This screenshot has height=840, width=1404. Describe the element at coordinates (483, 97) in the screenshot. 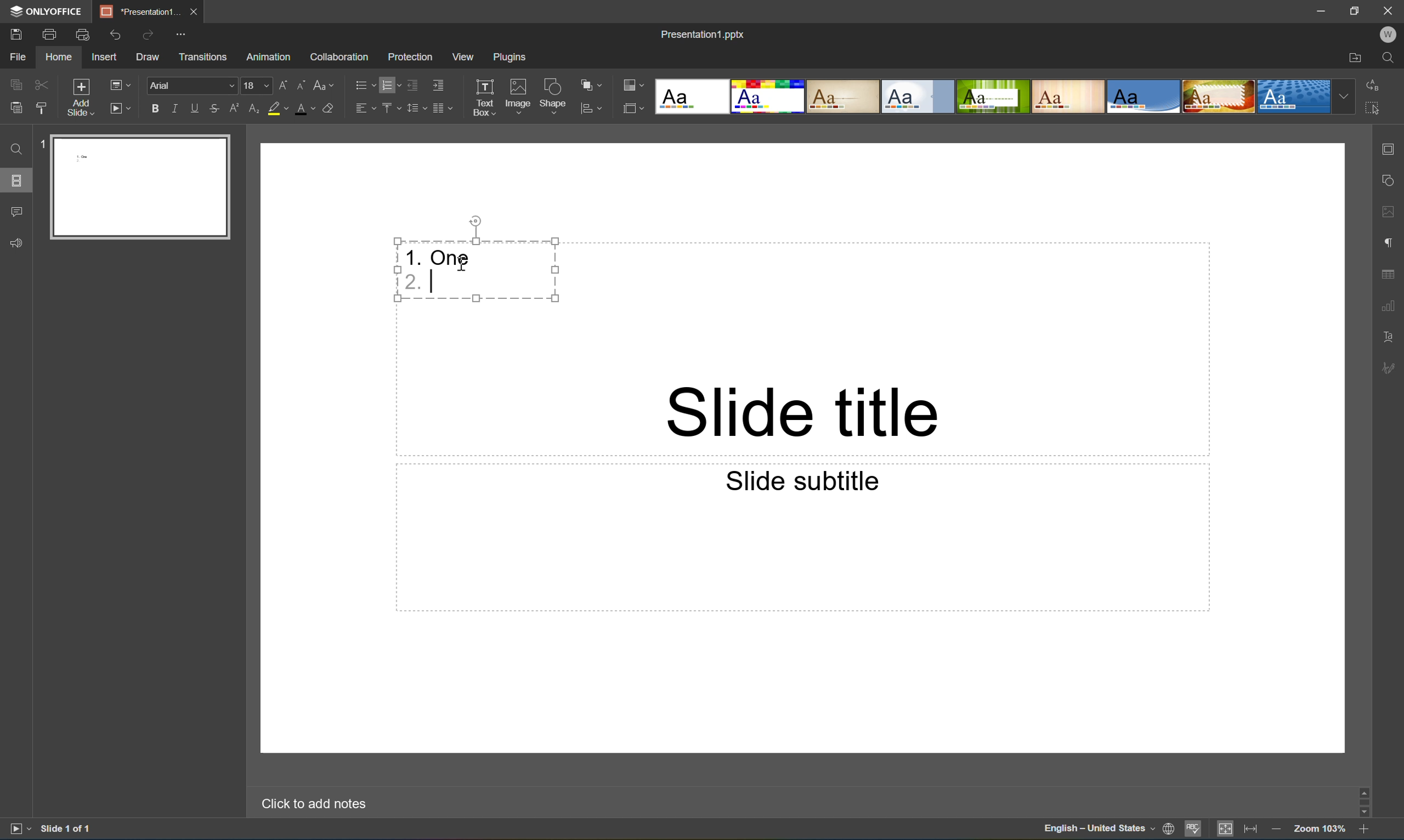

I see `Text box` at that location.